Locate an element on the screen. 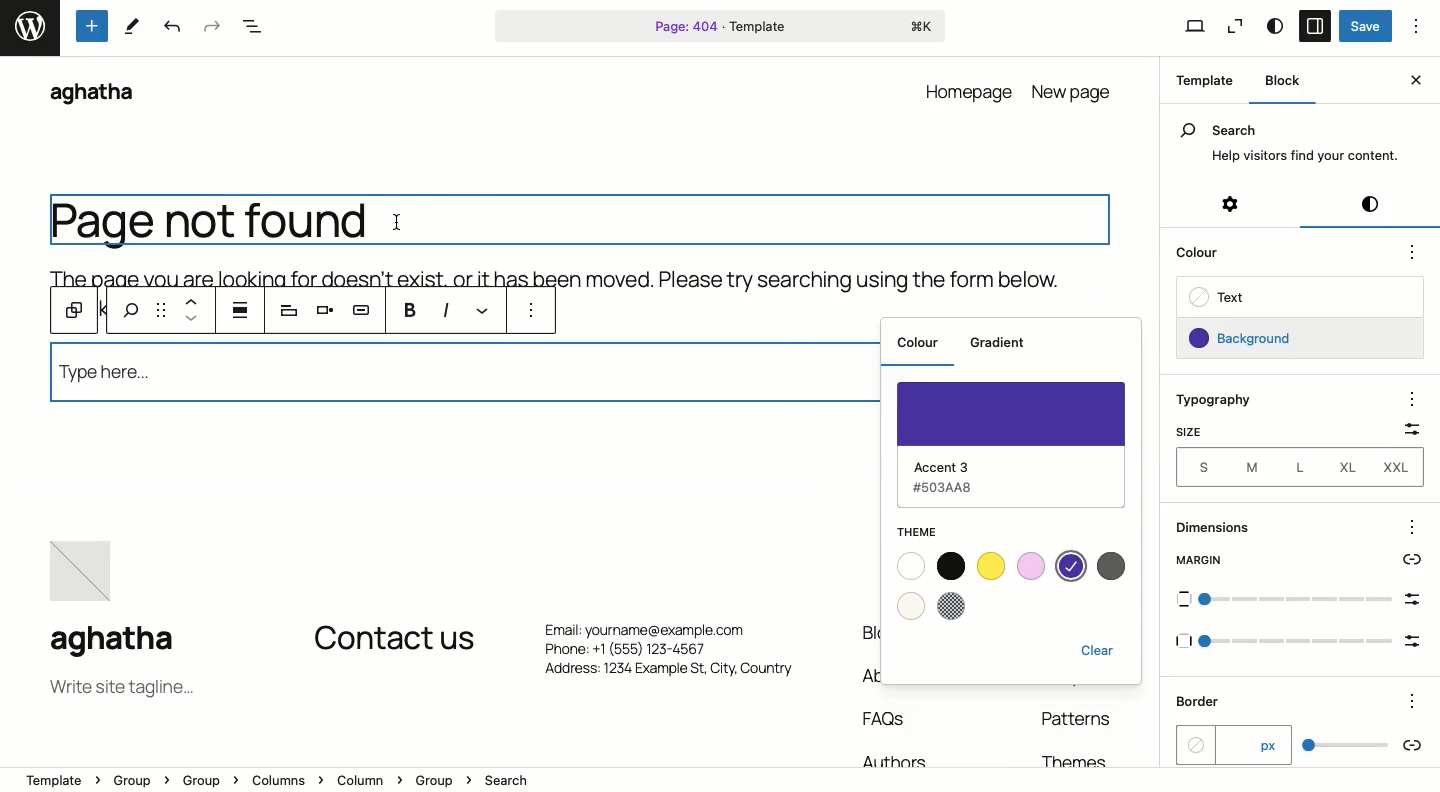 This screenshot has height=792, width=1440. Italics is located at coordinates (448, 310).